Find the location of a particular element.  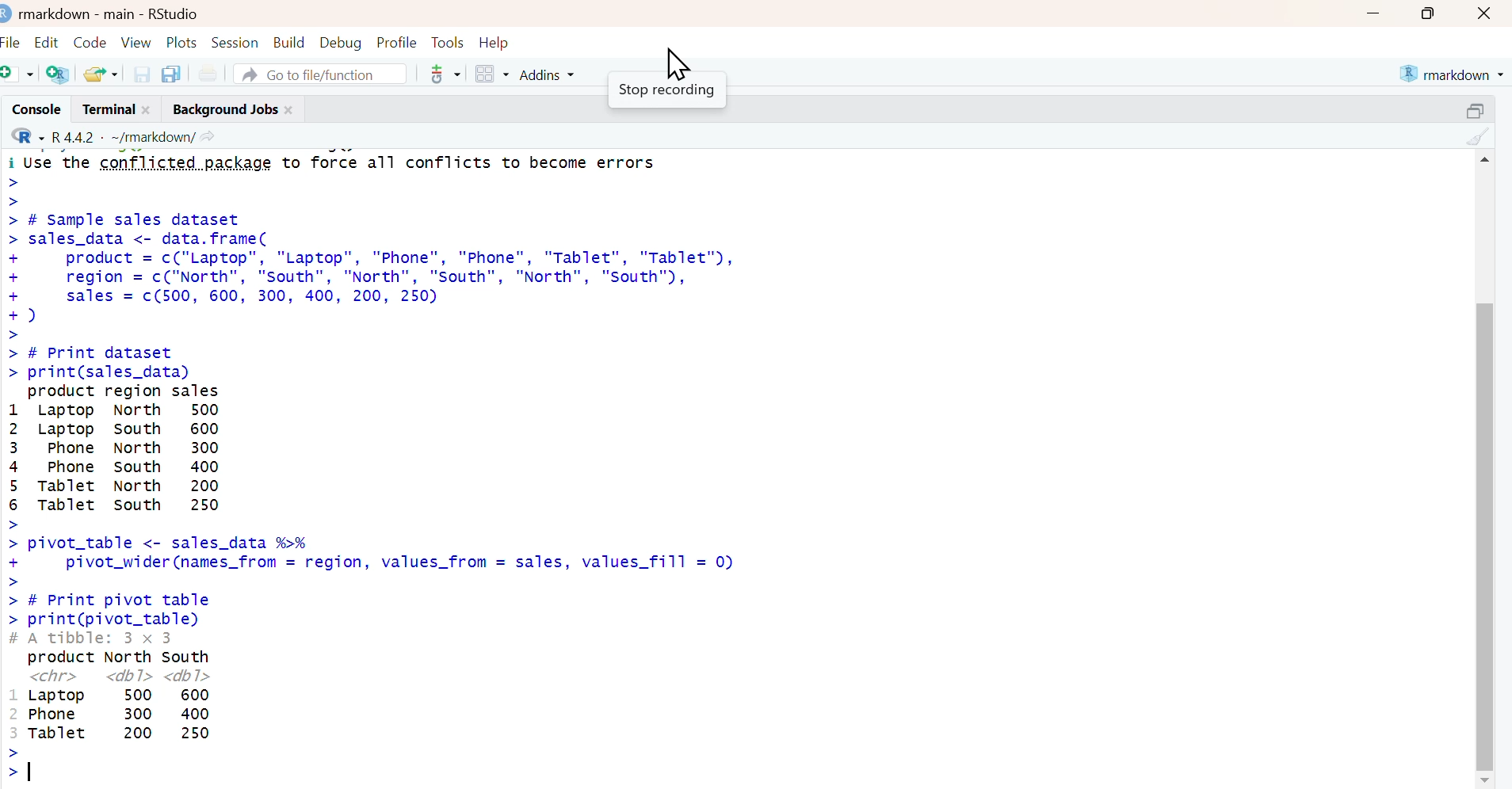

File is located at coordinates (13, 40).